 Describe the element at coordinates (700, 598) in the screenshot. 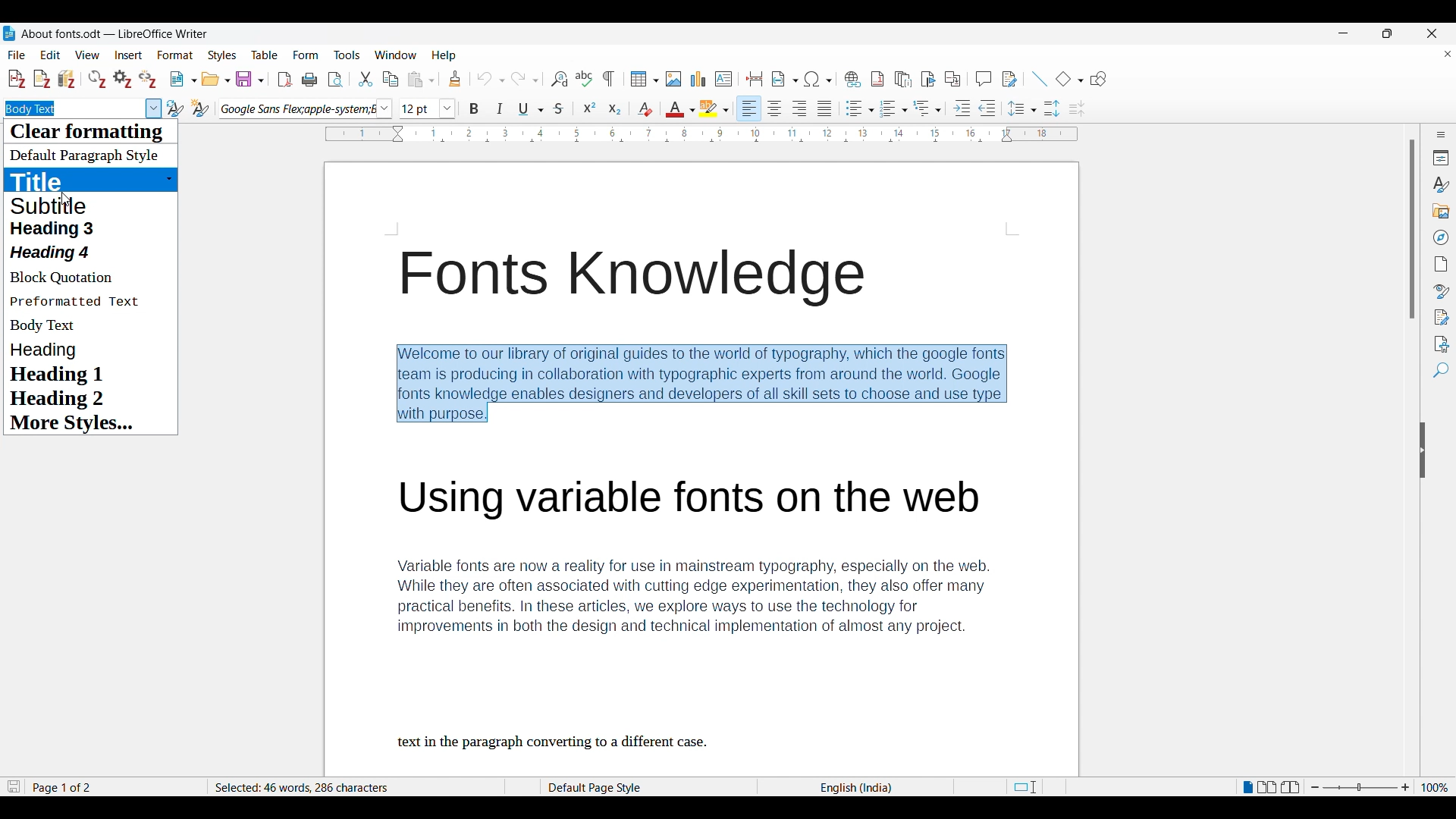

I see `Variable fonts description` at that location.